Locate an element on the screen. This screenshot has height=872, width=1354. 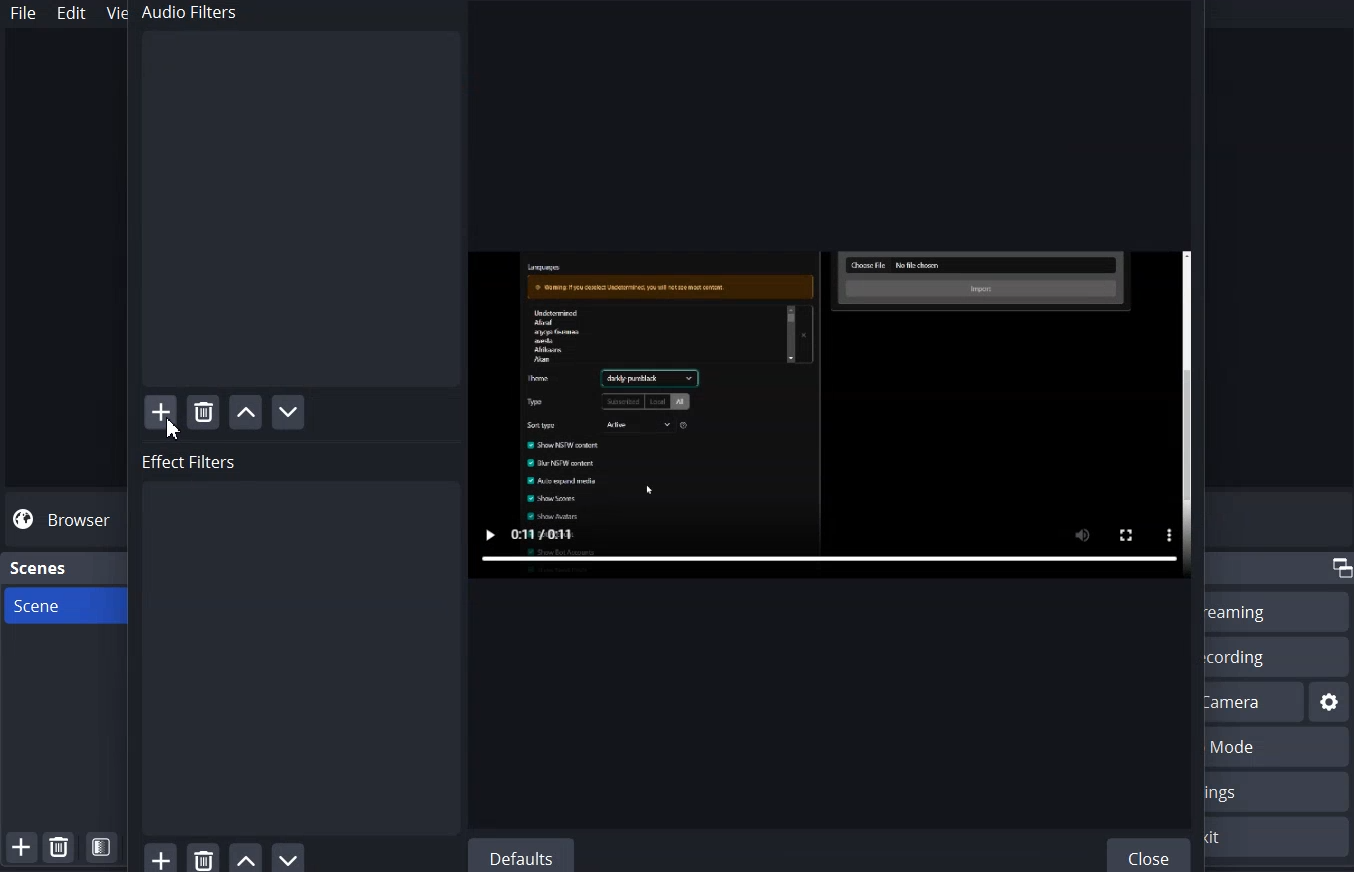
Edit is located at coordinates (73, 13).